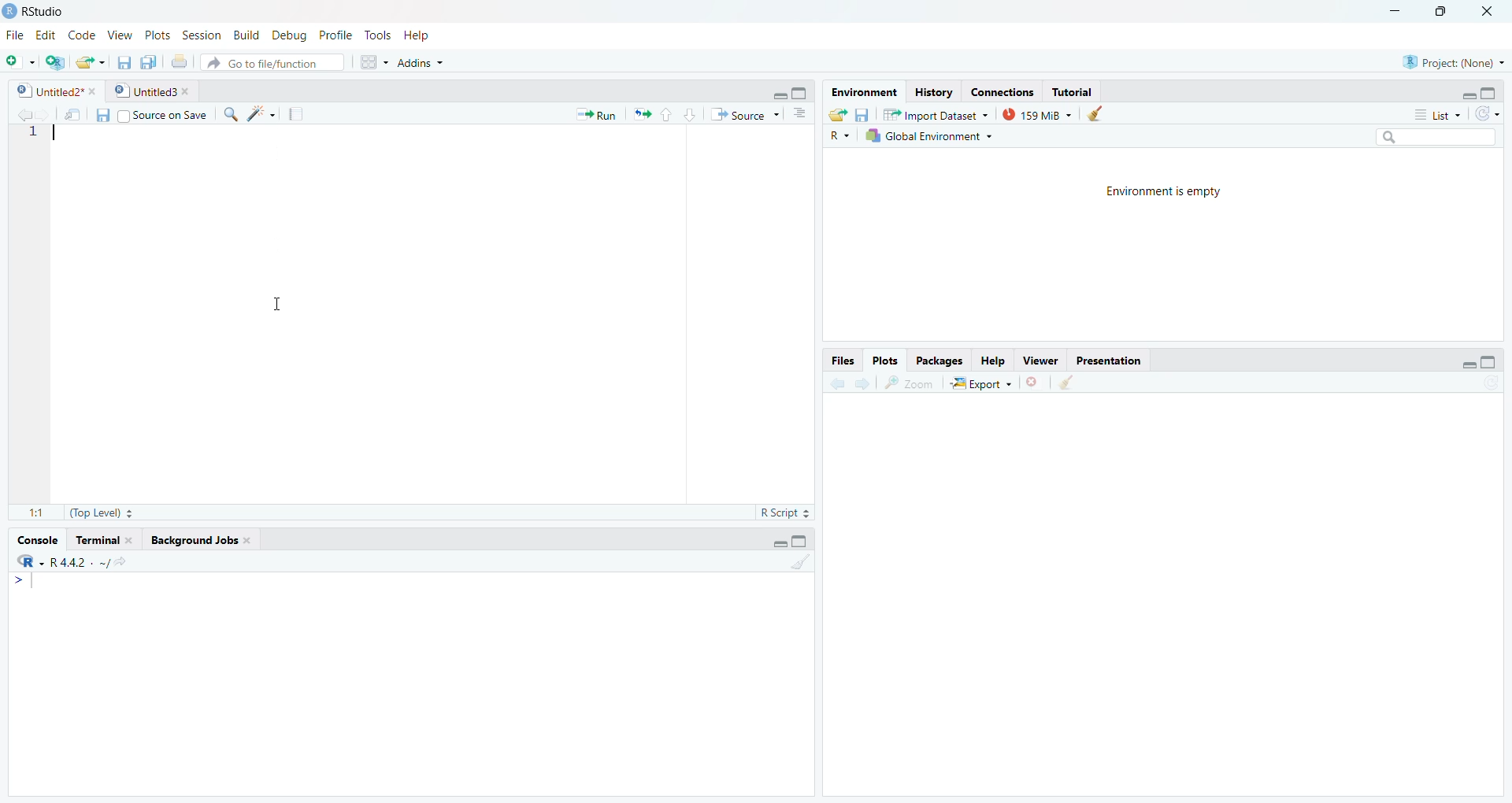 The height and width of the screenshot is (803, 1512). What do you see at coordinates (802, 94) in the screenshot?
I see `Maximize` at bounding box center [802, 94].